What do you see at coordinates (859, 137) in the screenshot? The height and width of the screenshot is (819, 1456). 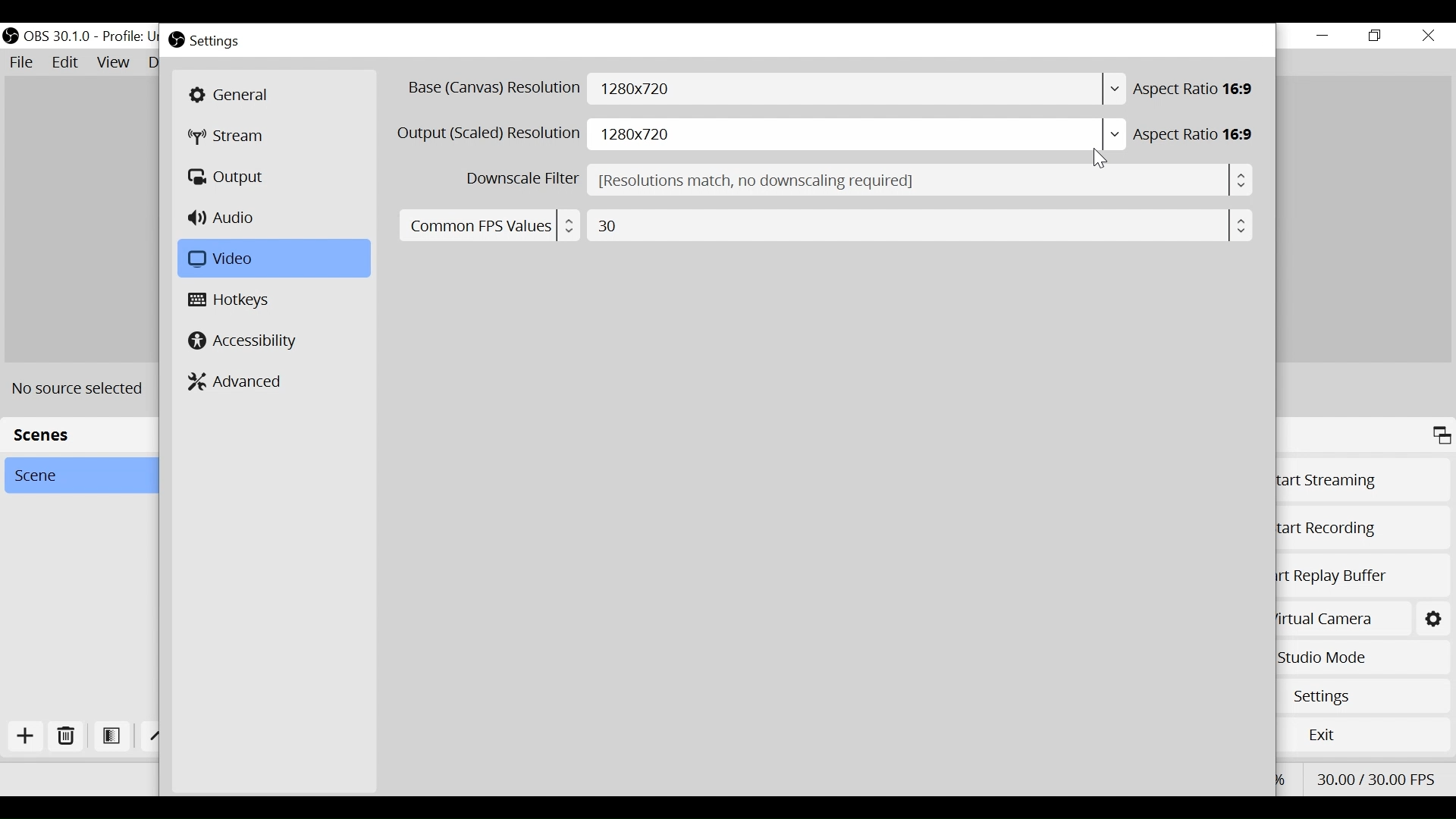 I see `1280*720` at bounding box center [859, 137].